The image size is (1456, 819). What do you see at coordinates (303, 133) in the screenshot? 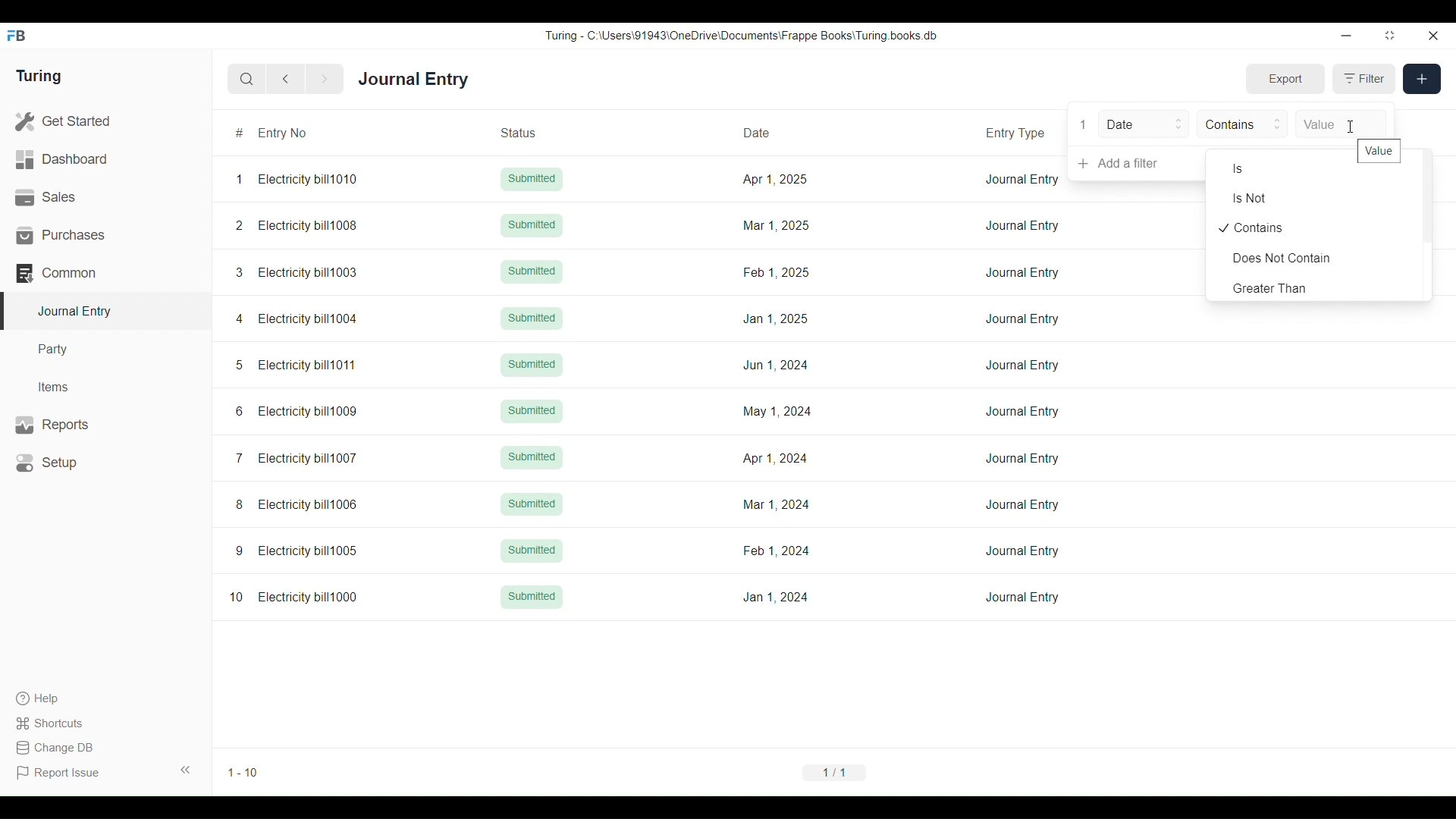
I see `# Entry No` at bounding box center [303, 133].